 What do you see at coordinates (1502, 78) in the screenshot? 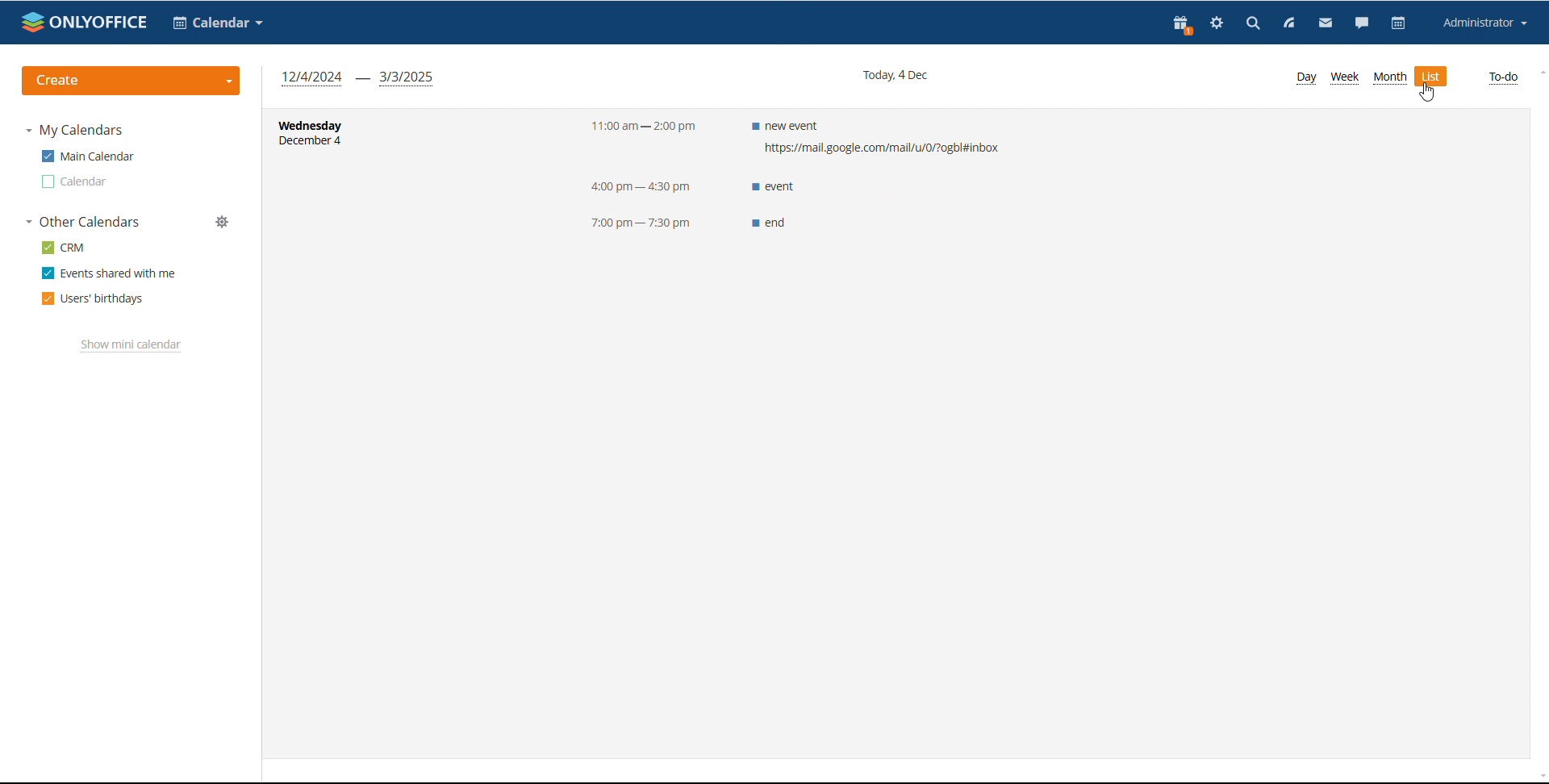
I see `to-do` at bounding box center [1502, 78].